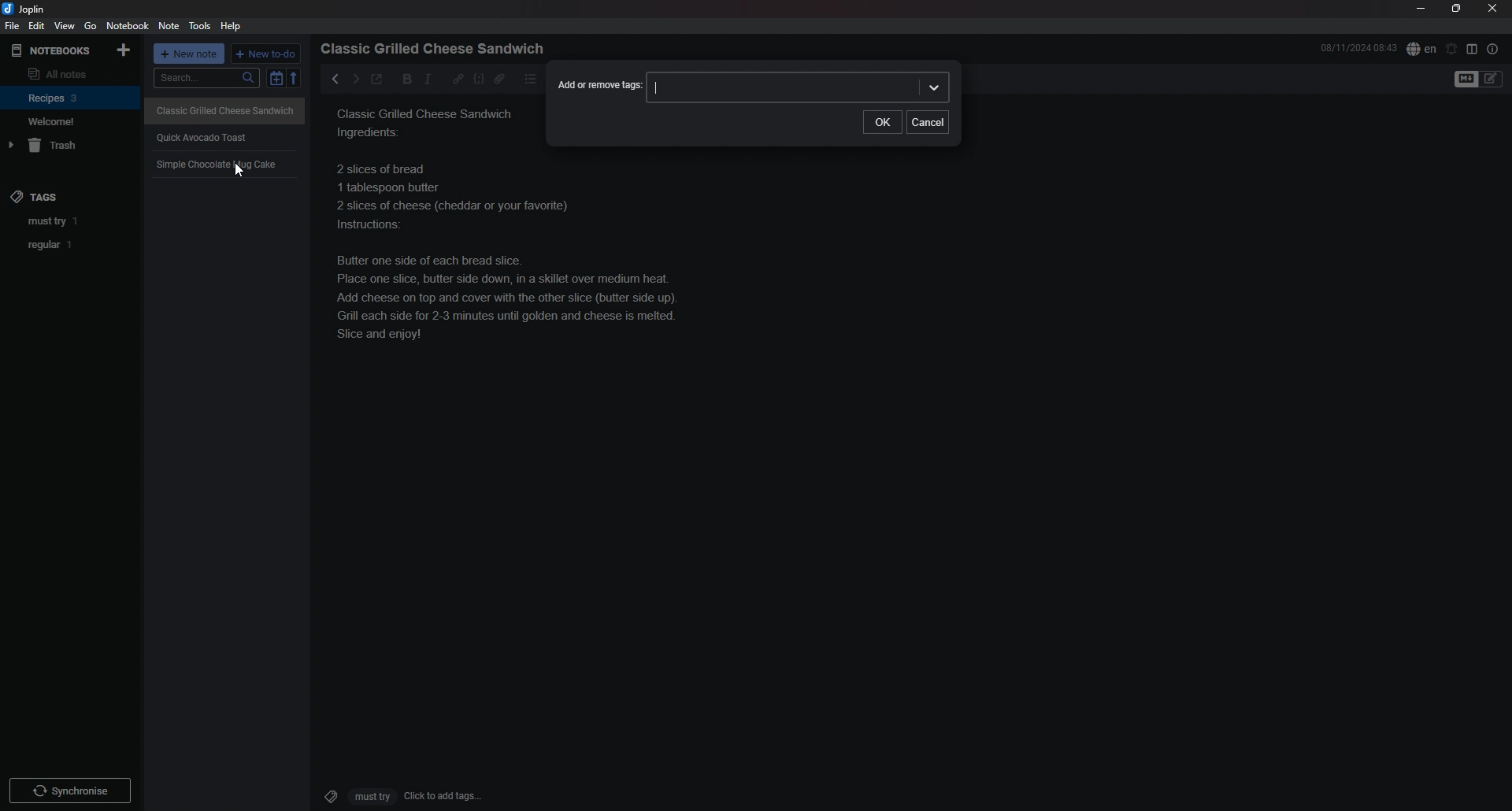 The height and width of the screenshot is (811, 1512). I want to click on new note, so click(191, 55).